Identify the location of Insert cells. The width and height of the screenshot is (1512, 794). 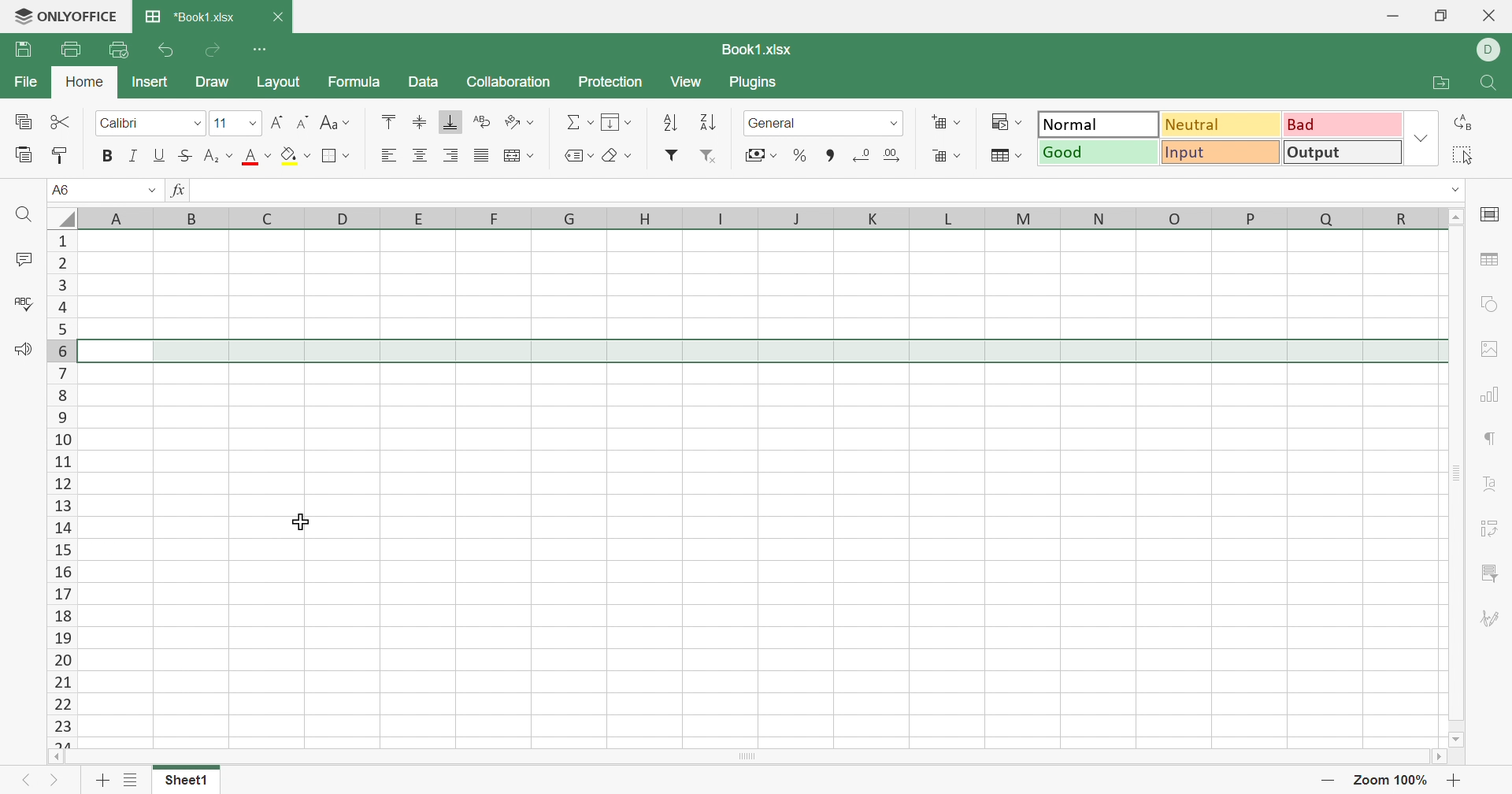
(948, 121).